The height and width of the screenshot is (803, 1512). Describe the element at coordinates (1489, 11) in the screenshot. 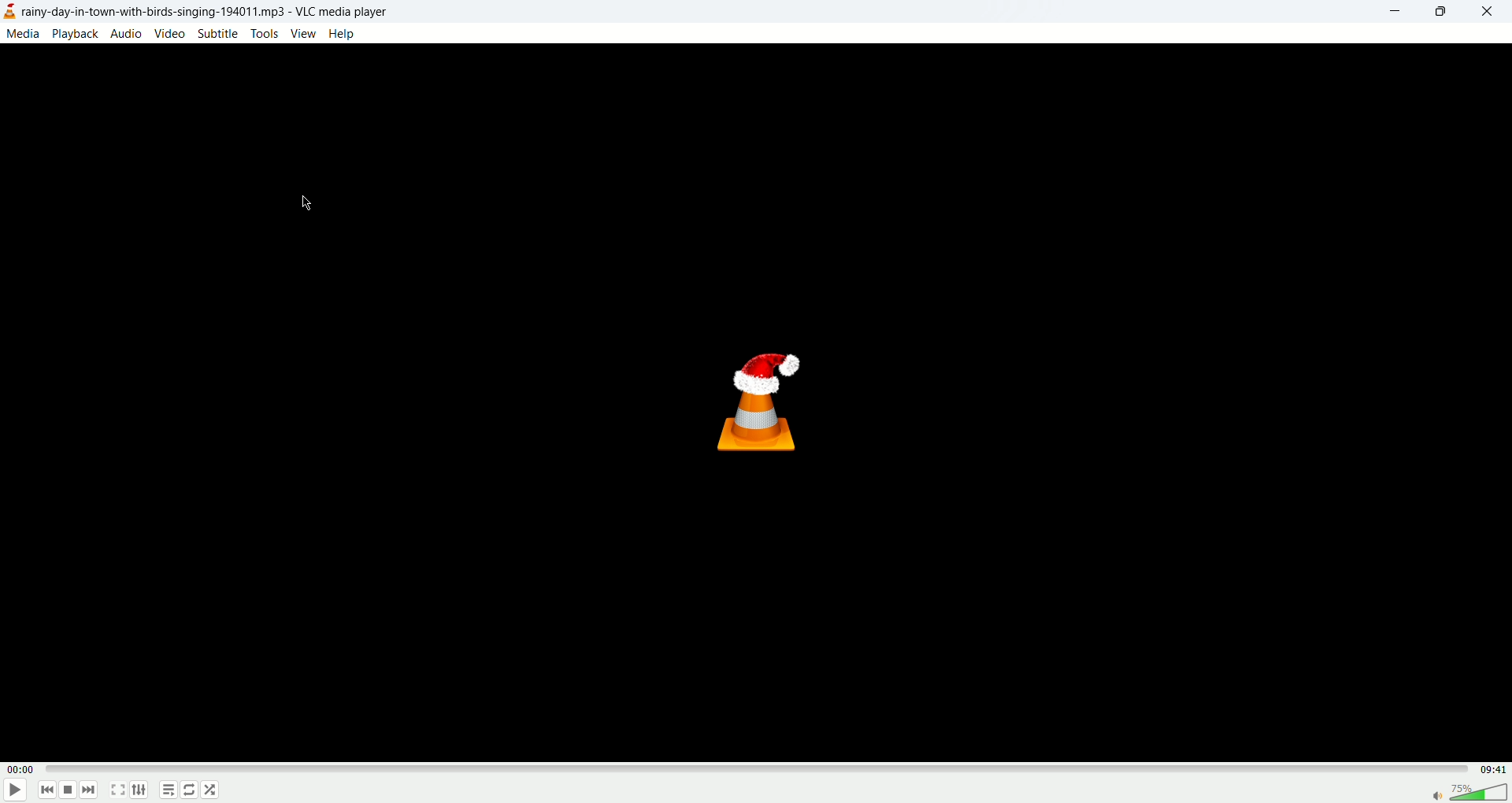

I see `close` at that location.